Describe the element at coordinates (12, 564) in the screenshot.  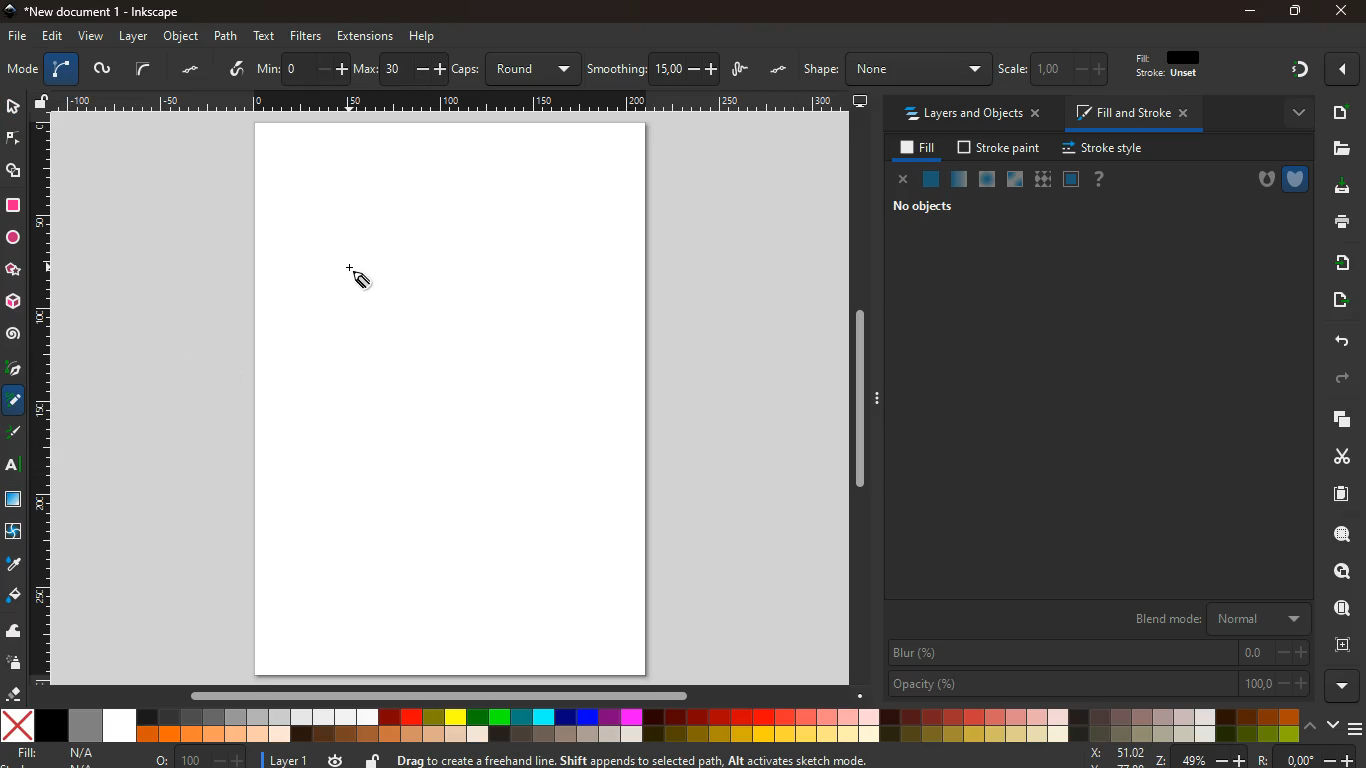
I see `drop` at that location.